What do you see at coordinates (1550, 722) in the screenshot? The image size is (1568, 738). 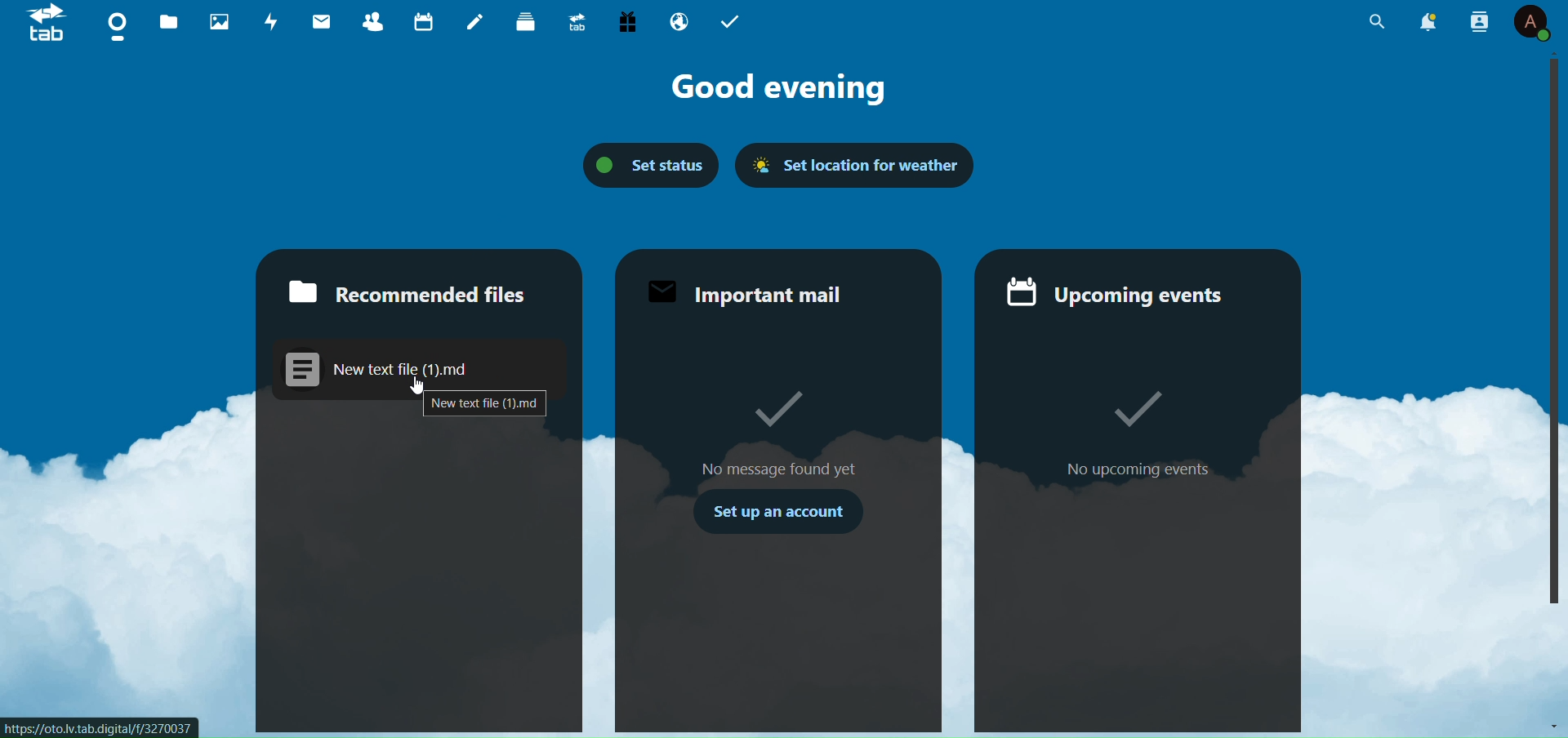 I see `down` at bounding box center [1550, 722].